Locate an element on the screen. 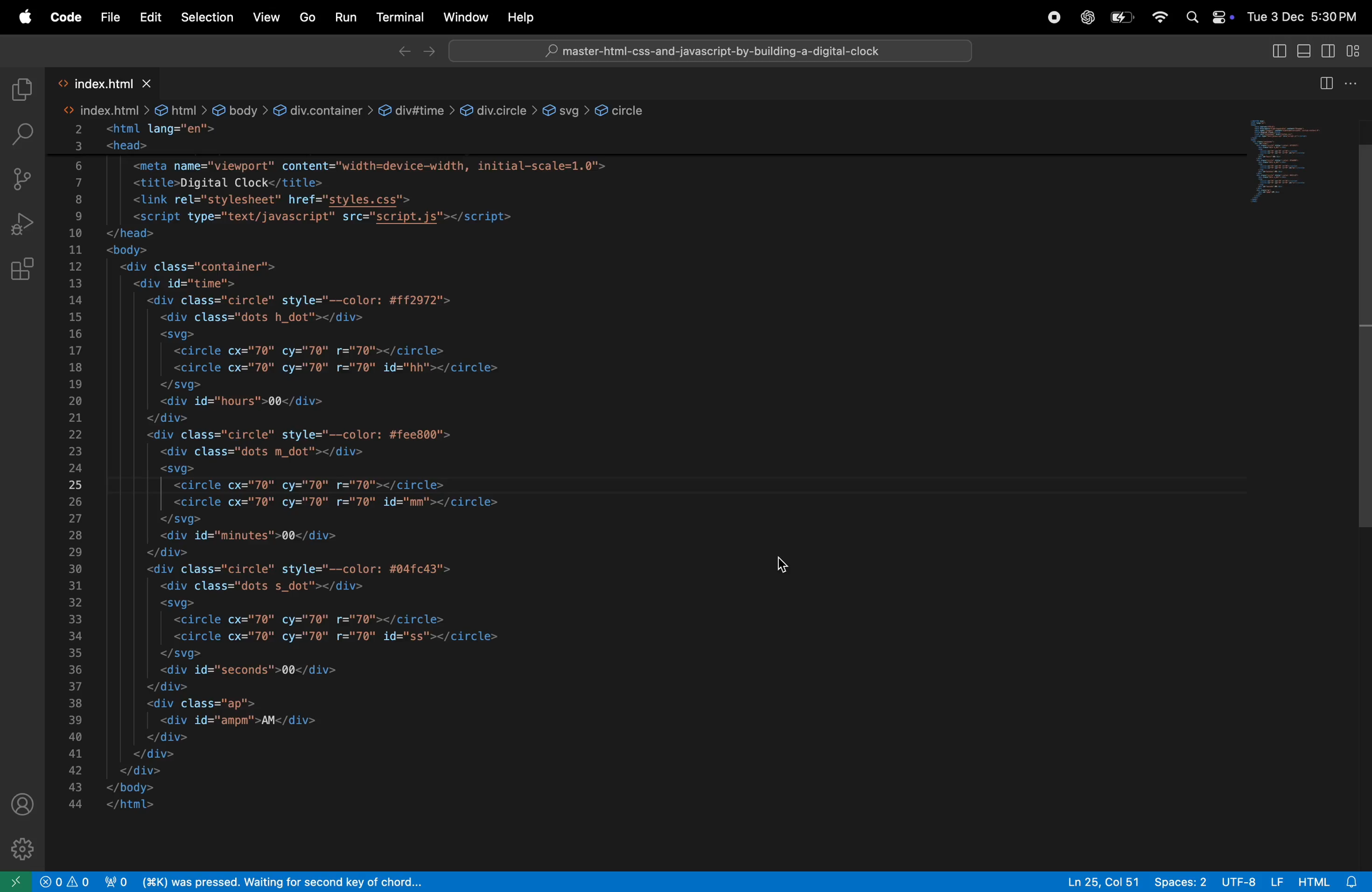 This screenshot has width=1372, height=892. run is located at coordinates (348, 17).